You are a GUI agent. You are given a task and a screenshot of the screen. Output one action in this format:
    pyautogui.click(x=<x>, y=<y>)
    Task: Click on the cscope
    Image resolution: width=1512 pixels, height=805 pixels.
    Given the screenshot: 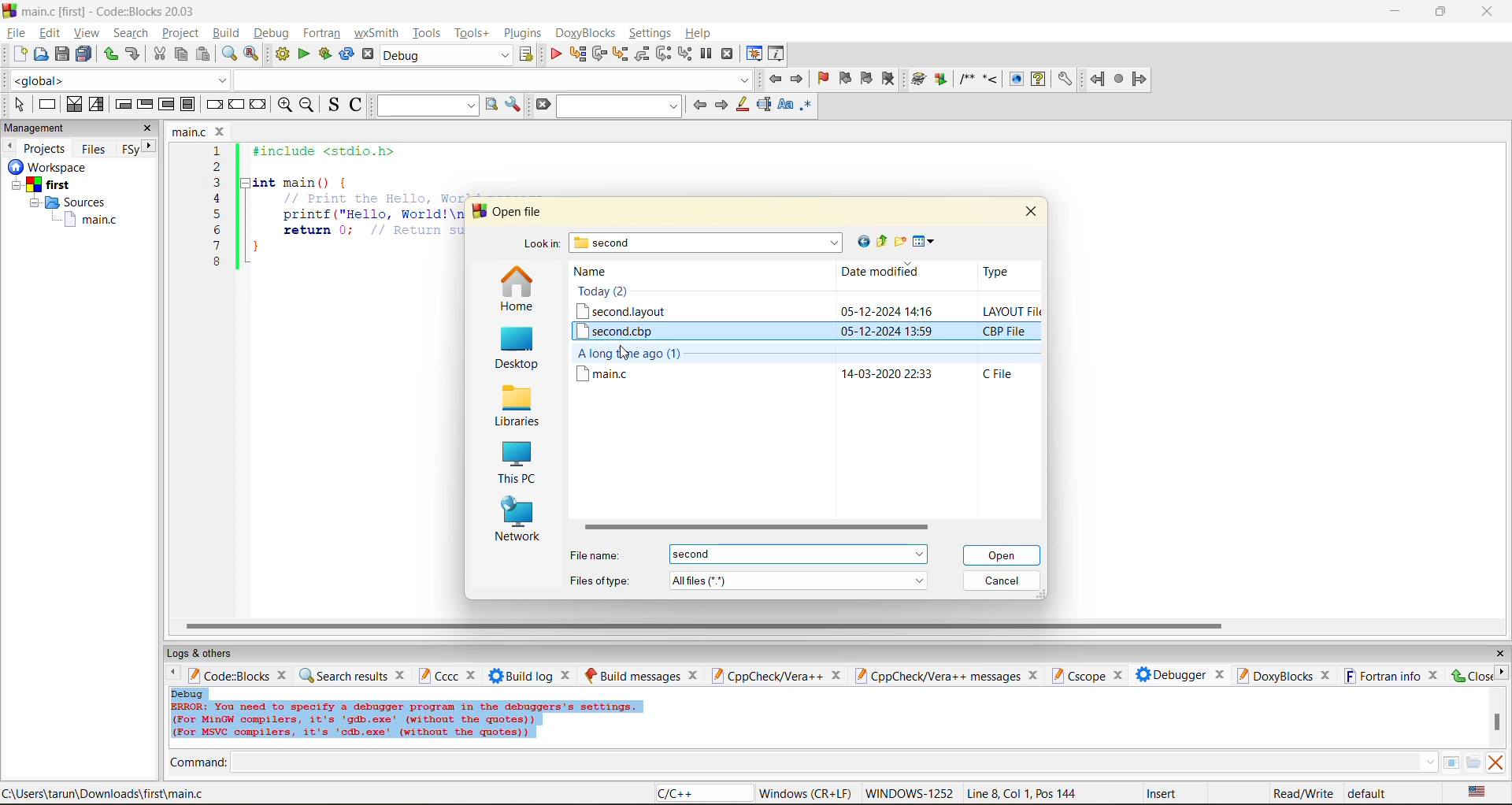 What is the action you would take?
    pyautogui.click(x=1077, y=674)
    